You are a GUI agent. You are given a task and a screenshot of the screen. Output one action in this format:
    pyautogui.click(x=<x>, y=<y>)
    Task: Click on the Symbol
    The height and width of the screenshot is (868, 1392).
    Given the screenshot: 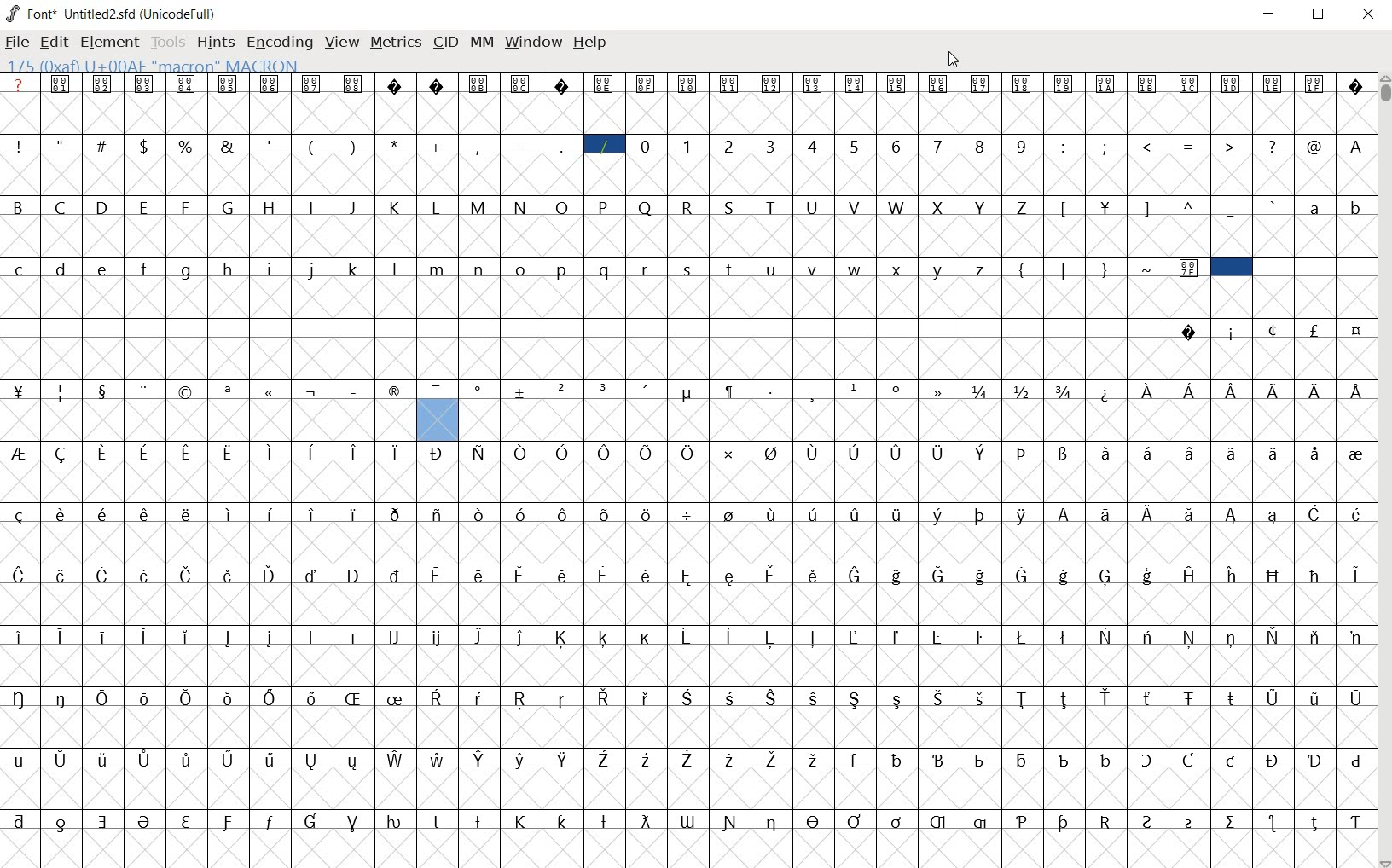 What is the action you would take?
    pyautogui.click(x=647, y=697)
    